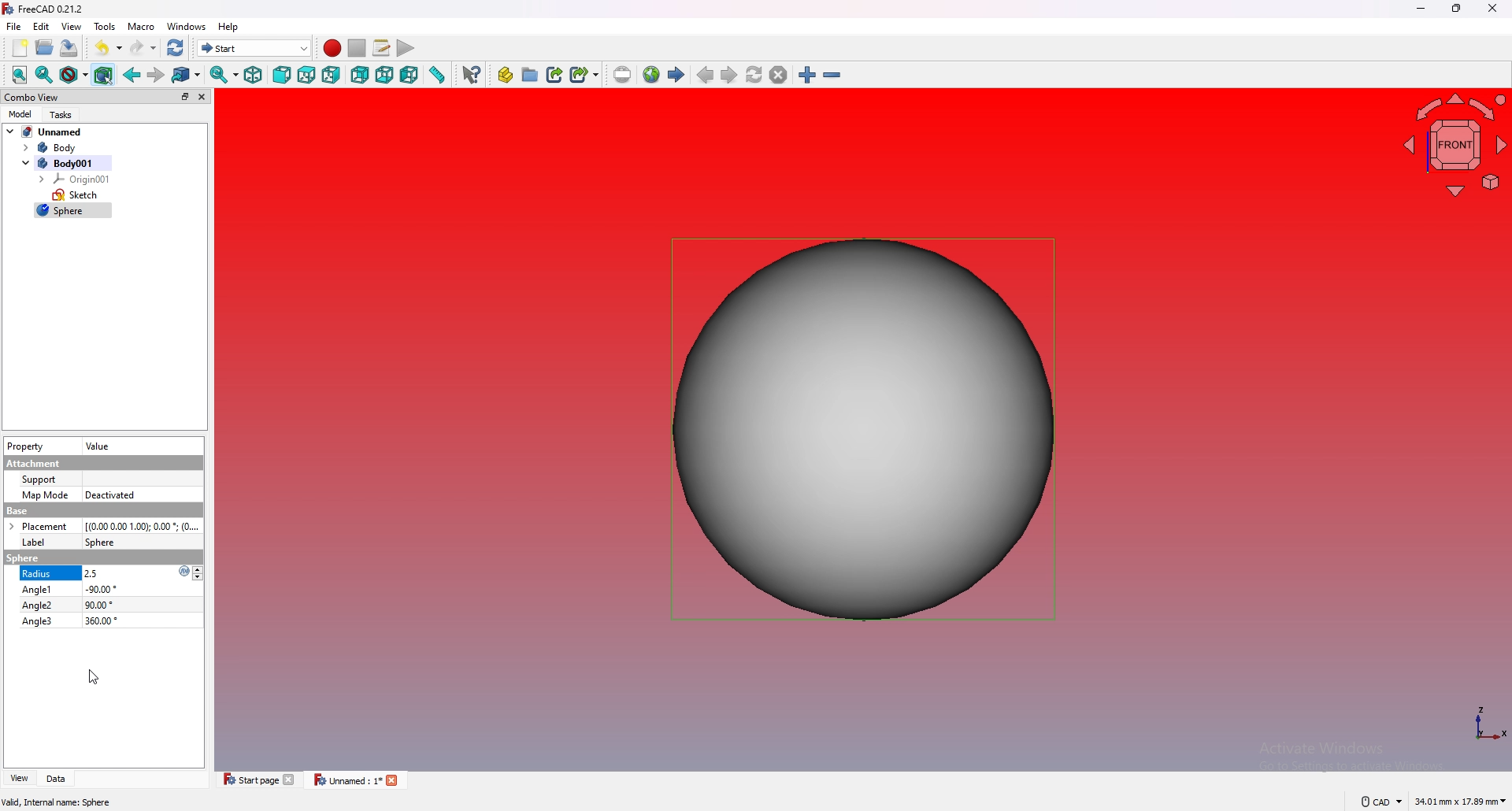  What do you see at coordinates (19, 113) in the screenshot?
I see `model` at bounding box center [19, 113].